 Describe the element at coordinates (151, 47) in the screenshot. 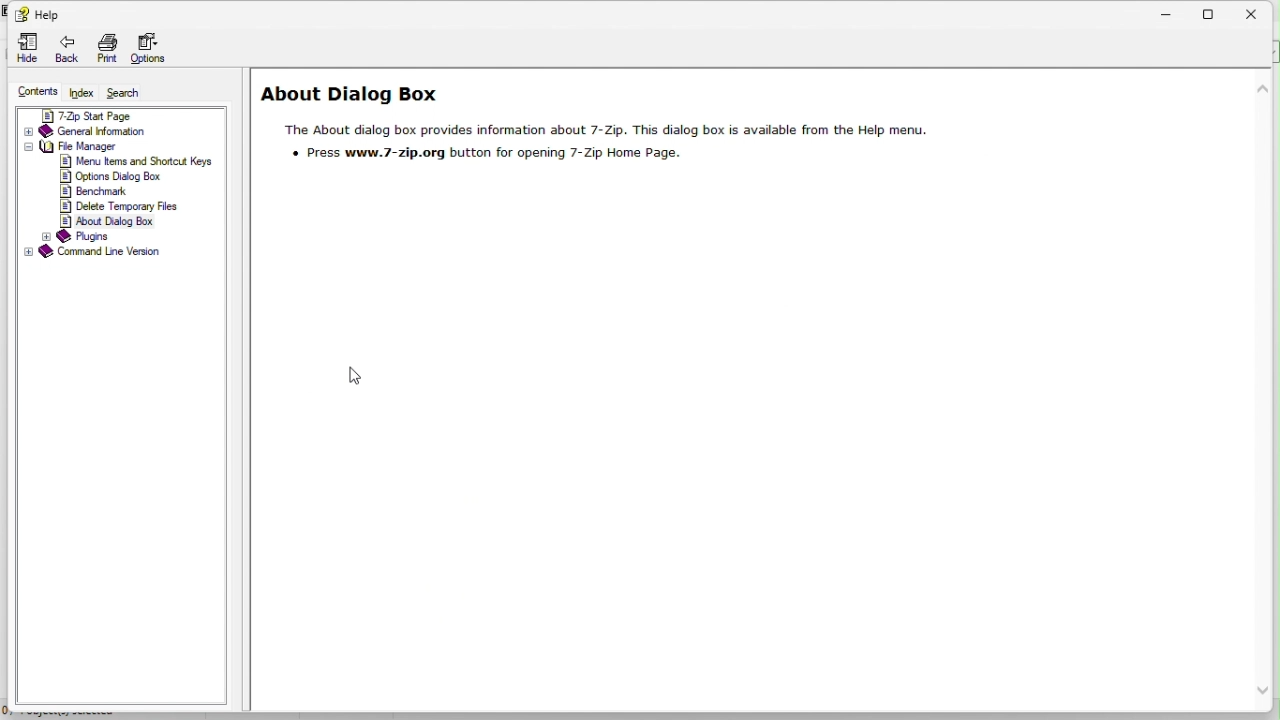

I see `Options` at that location.